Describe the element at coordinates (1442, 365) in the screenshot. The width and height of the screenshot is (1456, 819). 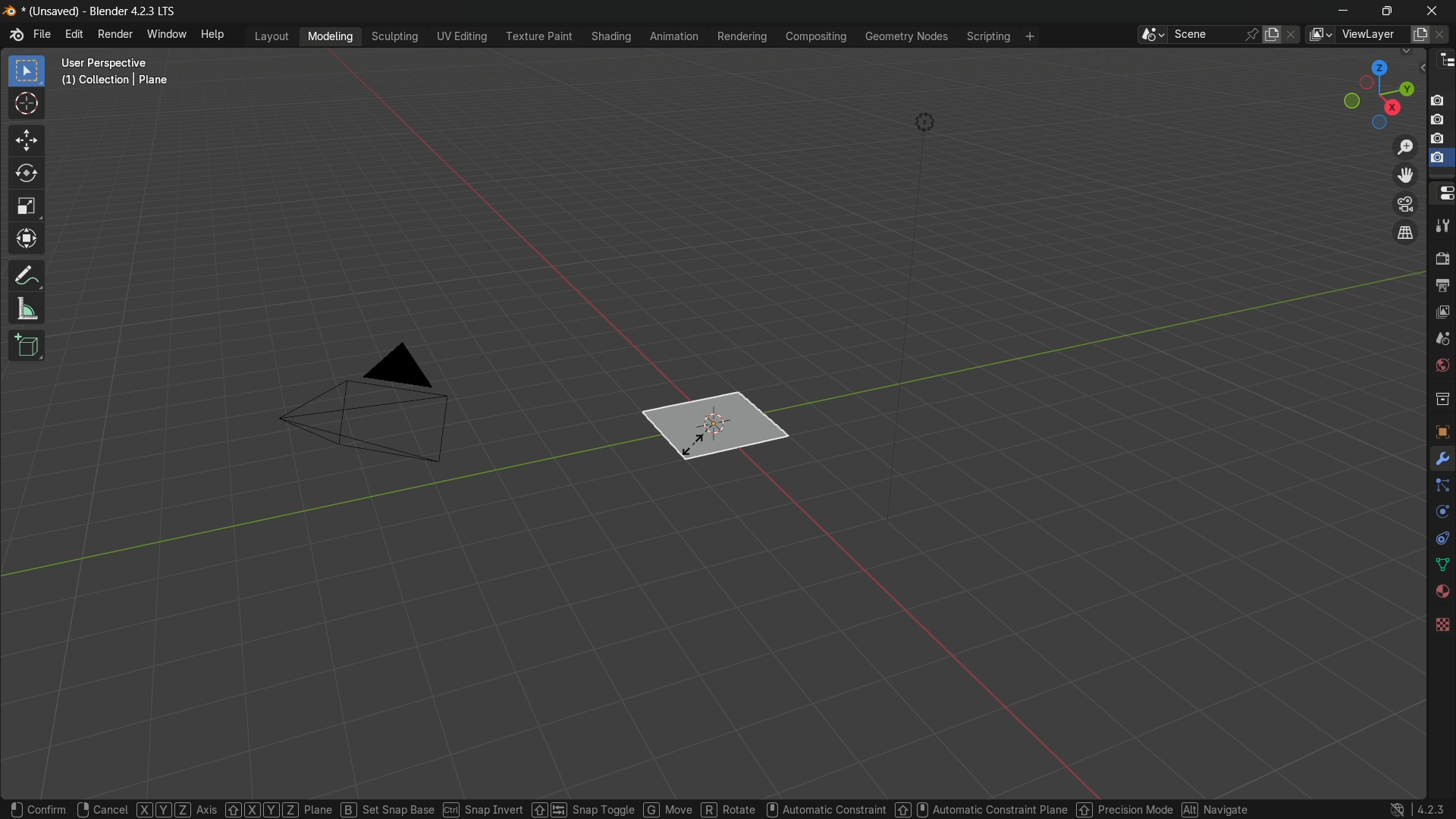
I see `` at that location.